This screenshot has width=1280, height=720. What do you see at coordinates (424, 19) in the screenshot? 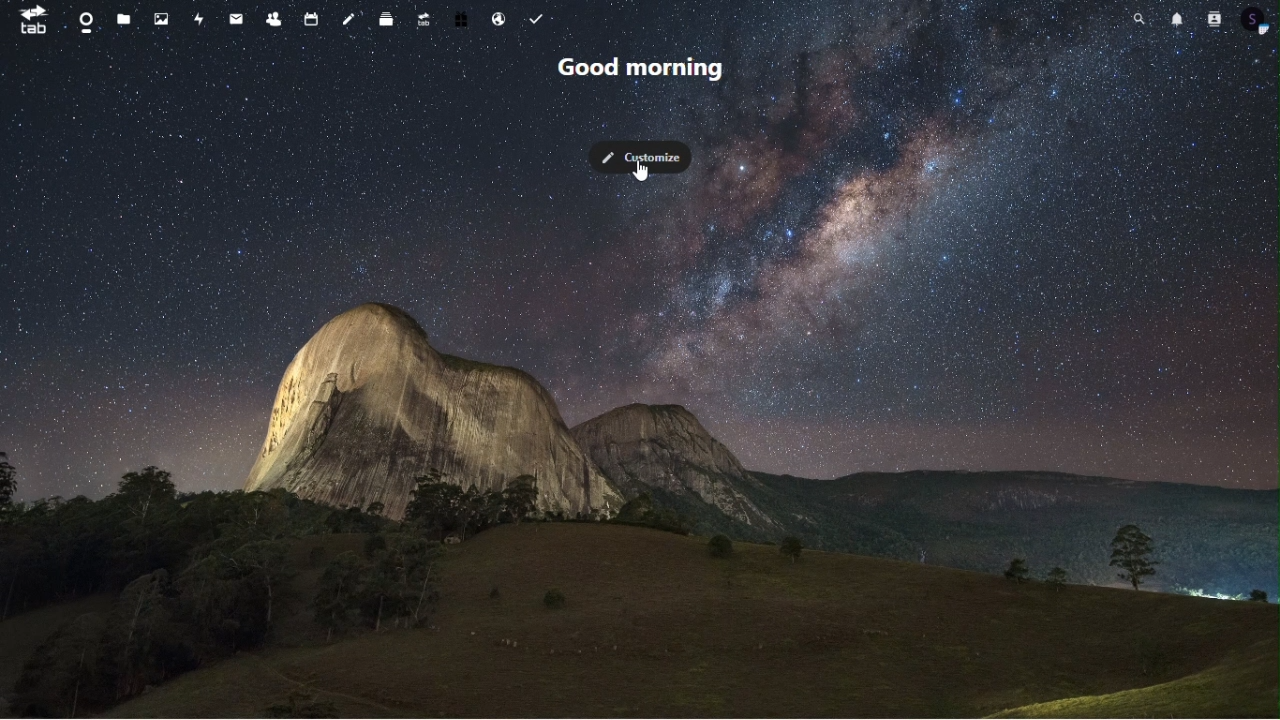
I see `upgrade` at bounding box center [424, 19].